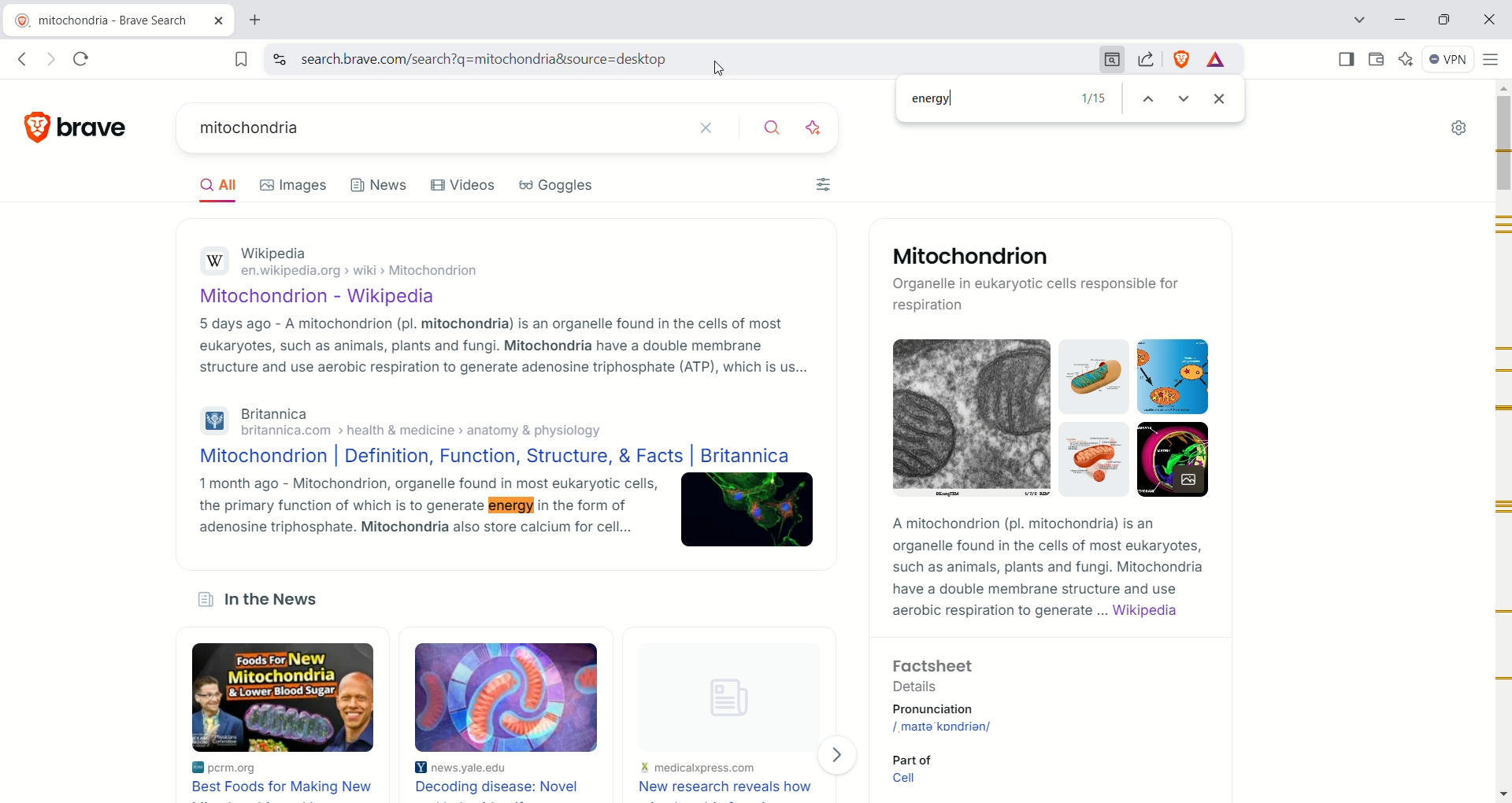  What do you see at coordinates (815, 128) in the screenshot?
I see `answer with AI` at bounding box center [815, 128].